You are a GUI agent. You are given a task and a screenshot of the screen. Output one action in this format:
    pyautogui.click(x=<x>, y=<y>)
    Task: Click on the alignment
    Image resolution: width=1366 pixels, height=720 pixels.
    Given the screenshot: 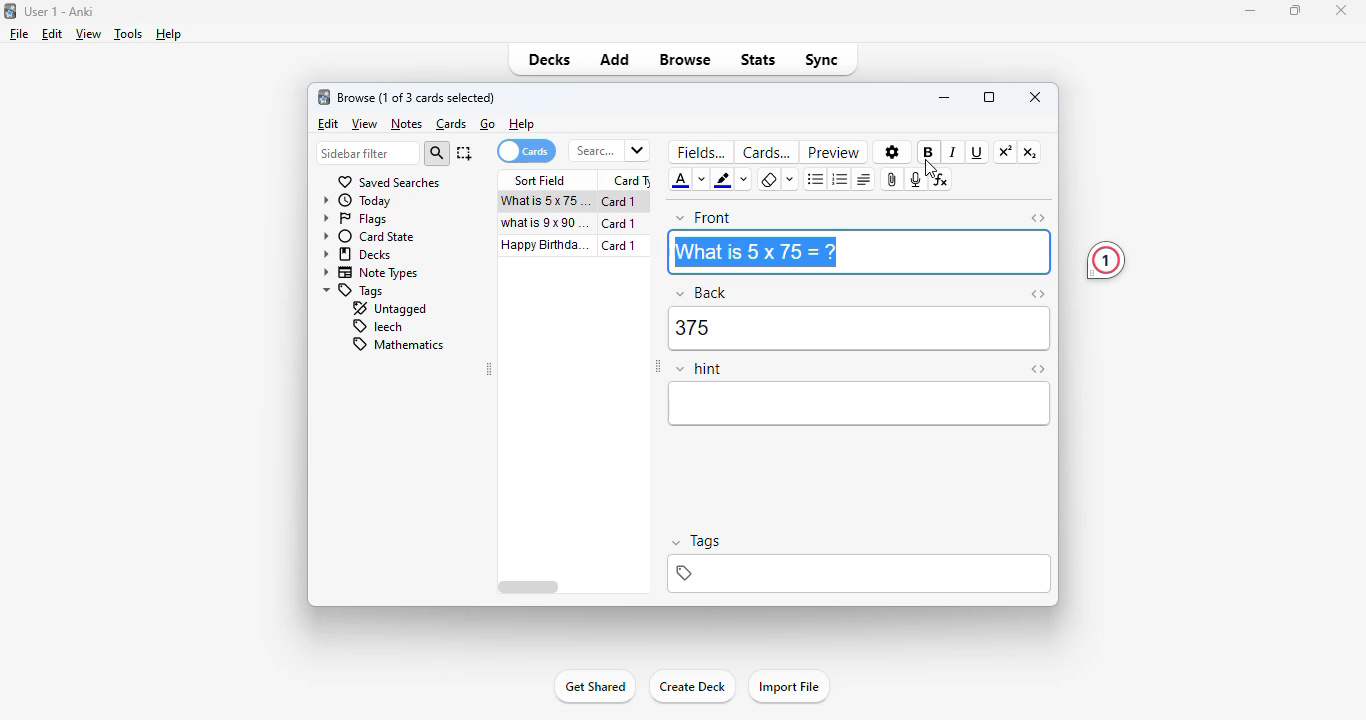 What is the action you would take?
    pyautogui.click(x=864, y=180)
    